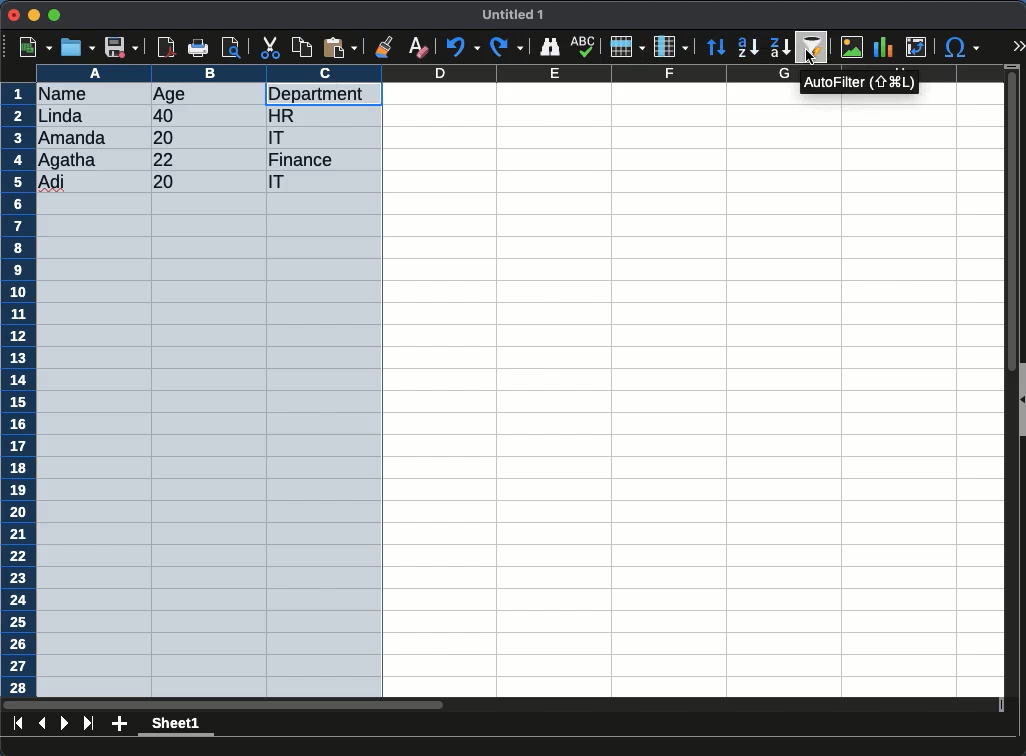 Image resolution: width=1026 pixels, height=756 pixels. I want to click on sort, so click(813, 46).